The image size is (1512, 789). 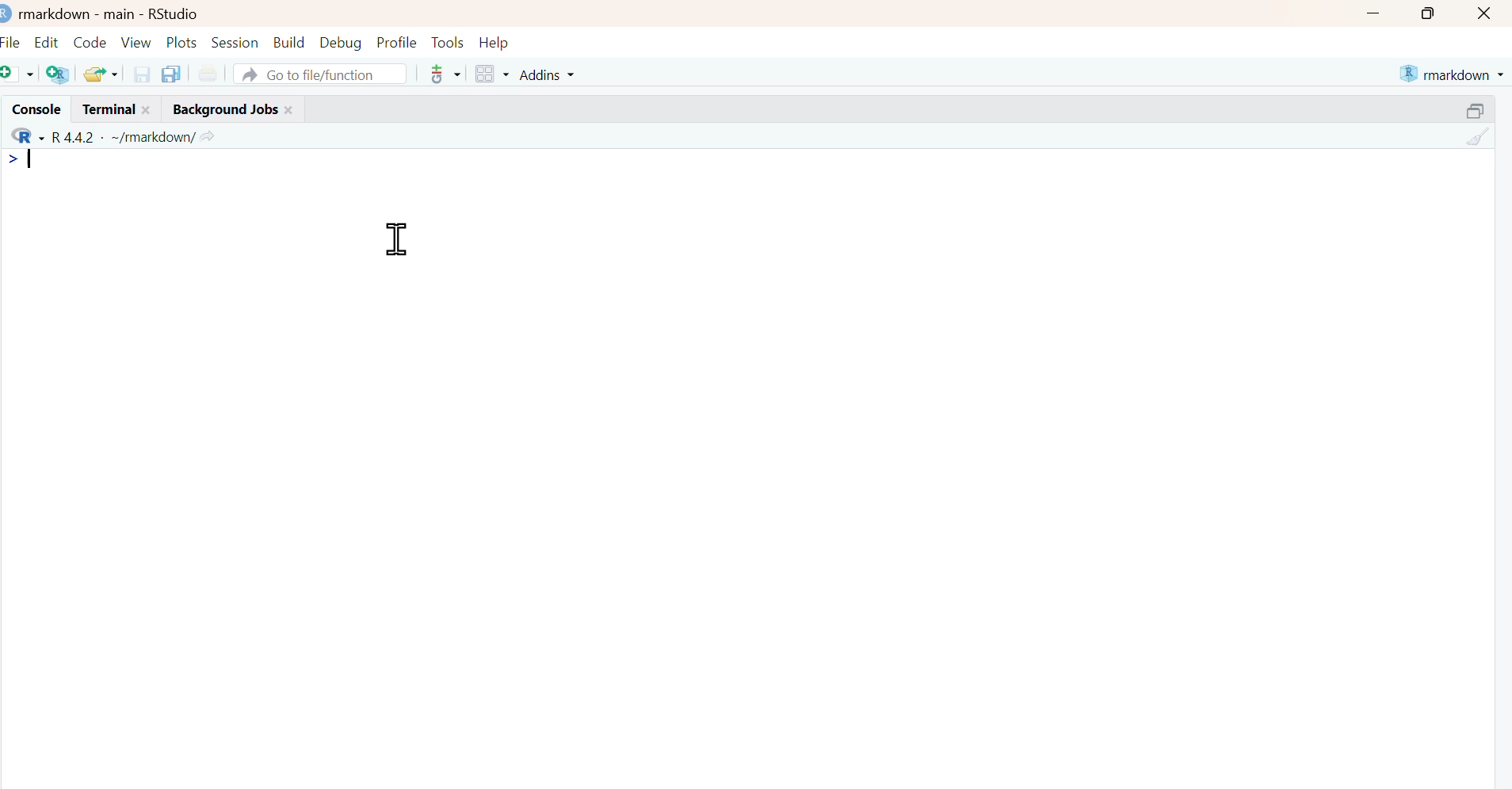 I want to click on Console, so click(x=33, y=109).